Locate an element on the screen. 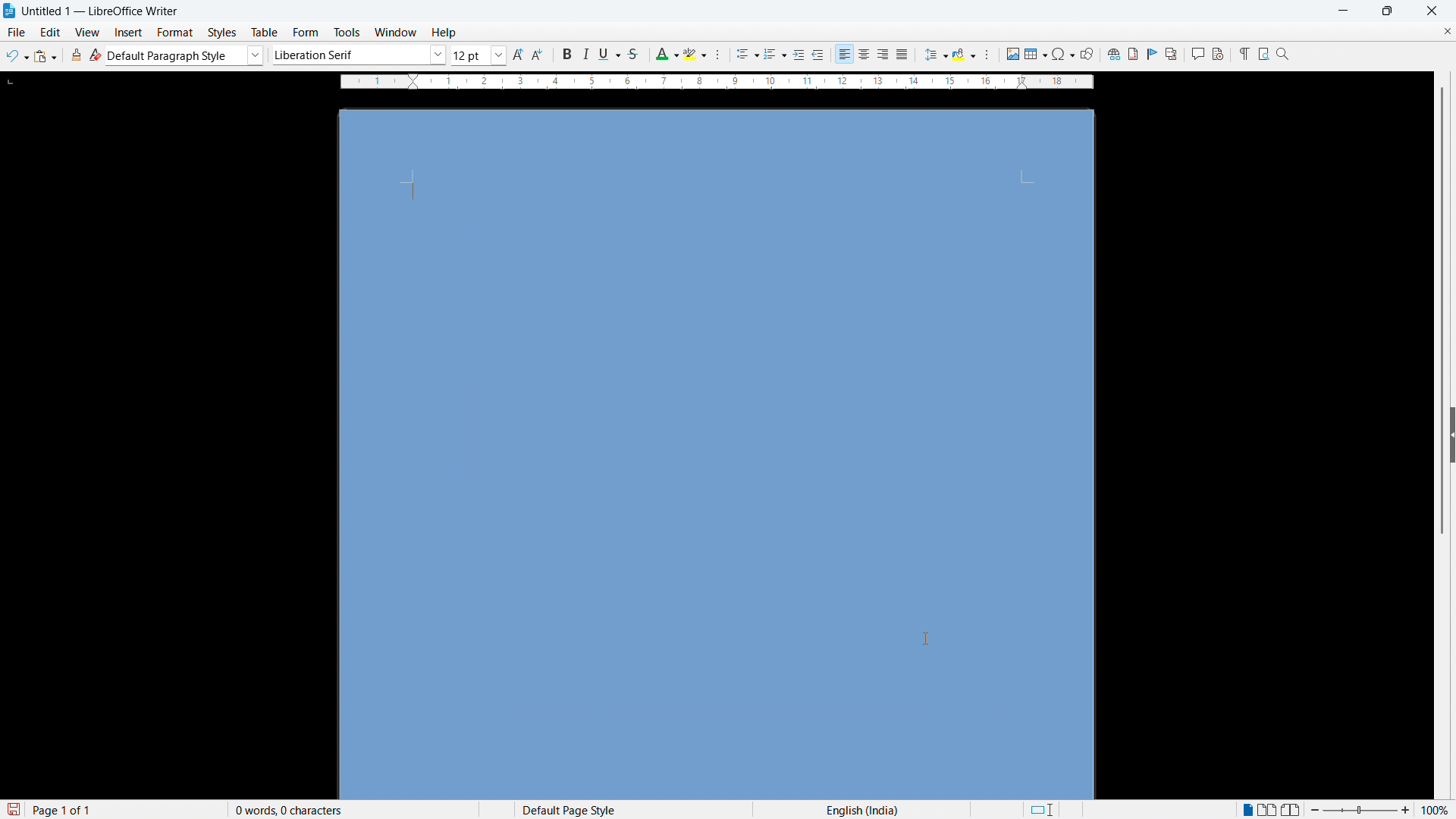 The image size is (1456, 819). Insert footnote  is located at coordinates (1132, 54).